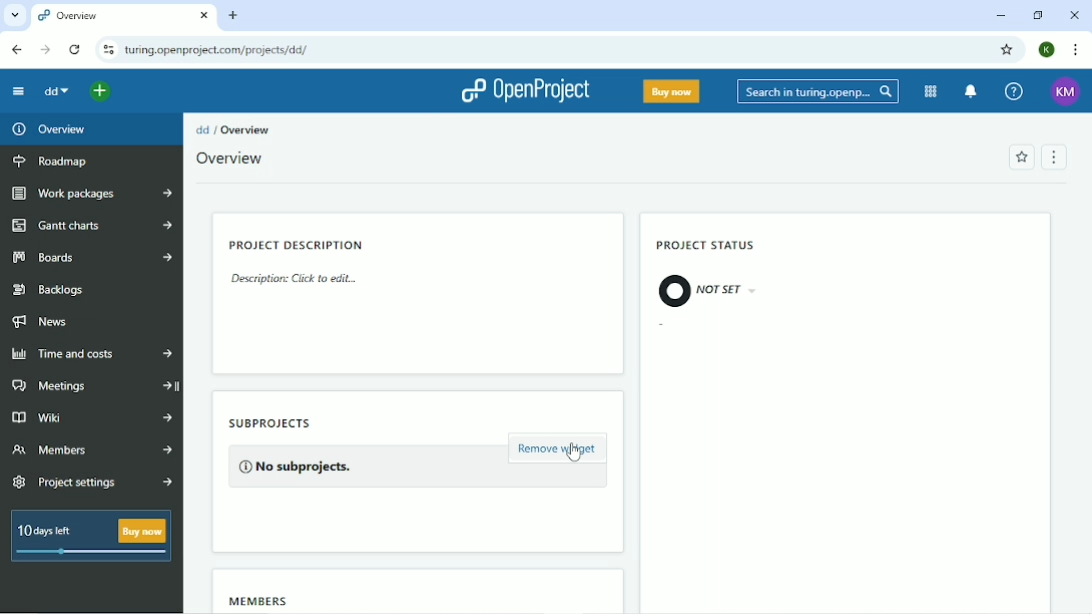  What do you see at coordinates (1020, 158) in the screenshot?
I see `Add to favorites` at bounding box center [1020, 158].